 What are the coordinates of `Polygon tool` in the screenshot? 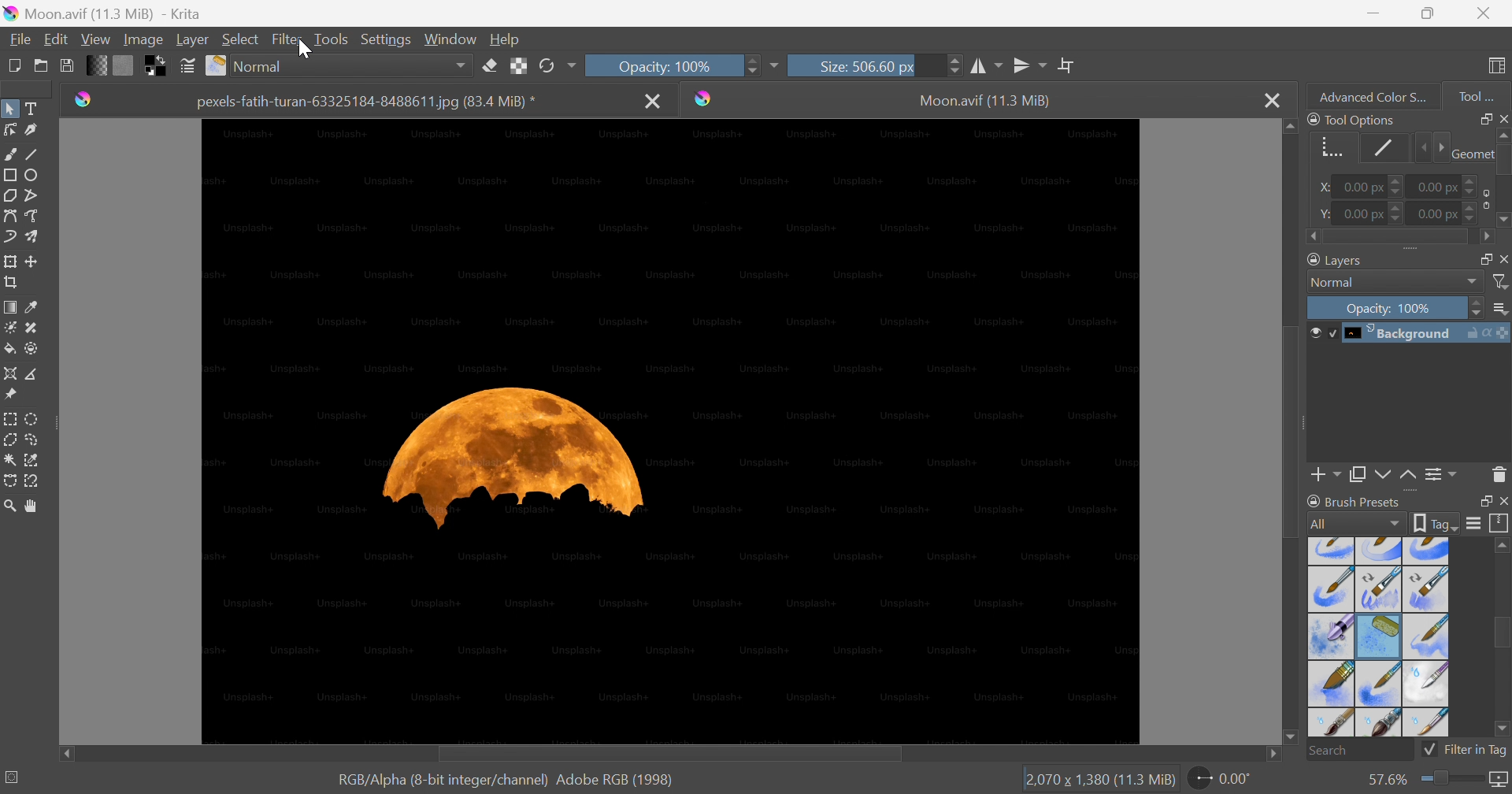 It's located at (9, 195).